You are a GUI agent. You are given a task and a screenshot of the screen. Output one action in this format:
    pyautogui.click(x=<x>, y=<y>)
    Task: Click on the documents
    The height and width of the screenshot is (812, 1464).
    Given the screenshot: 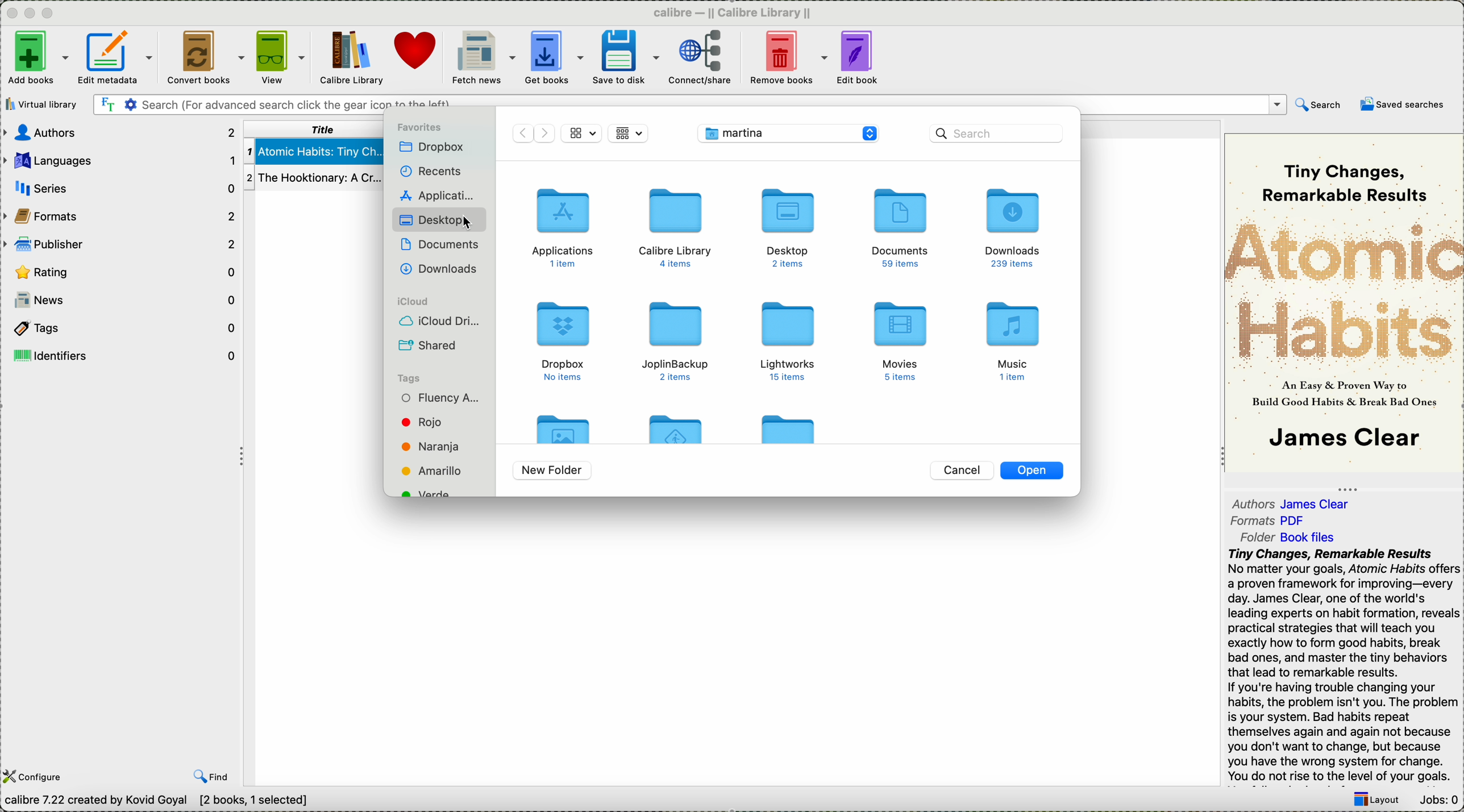 What is the action you would take?
    pyautogui.click(x=900, y=228)
    